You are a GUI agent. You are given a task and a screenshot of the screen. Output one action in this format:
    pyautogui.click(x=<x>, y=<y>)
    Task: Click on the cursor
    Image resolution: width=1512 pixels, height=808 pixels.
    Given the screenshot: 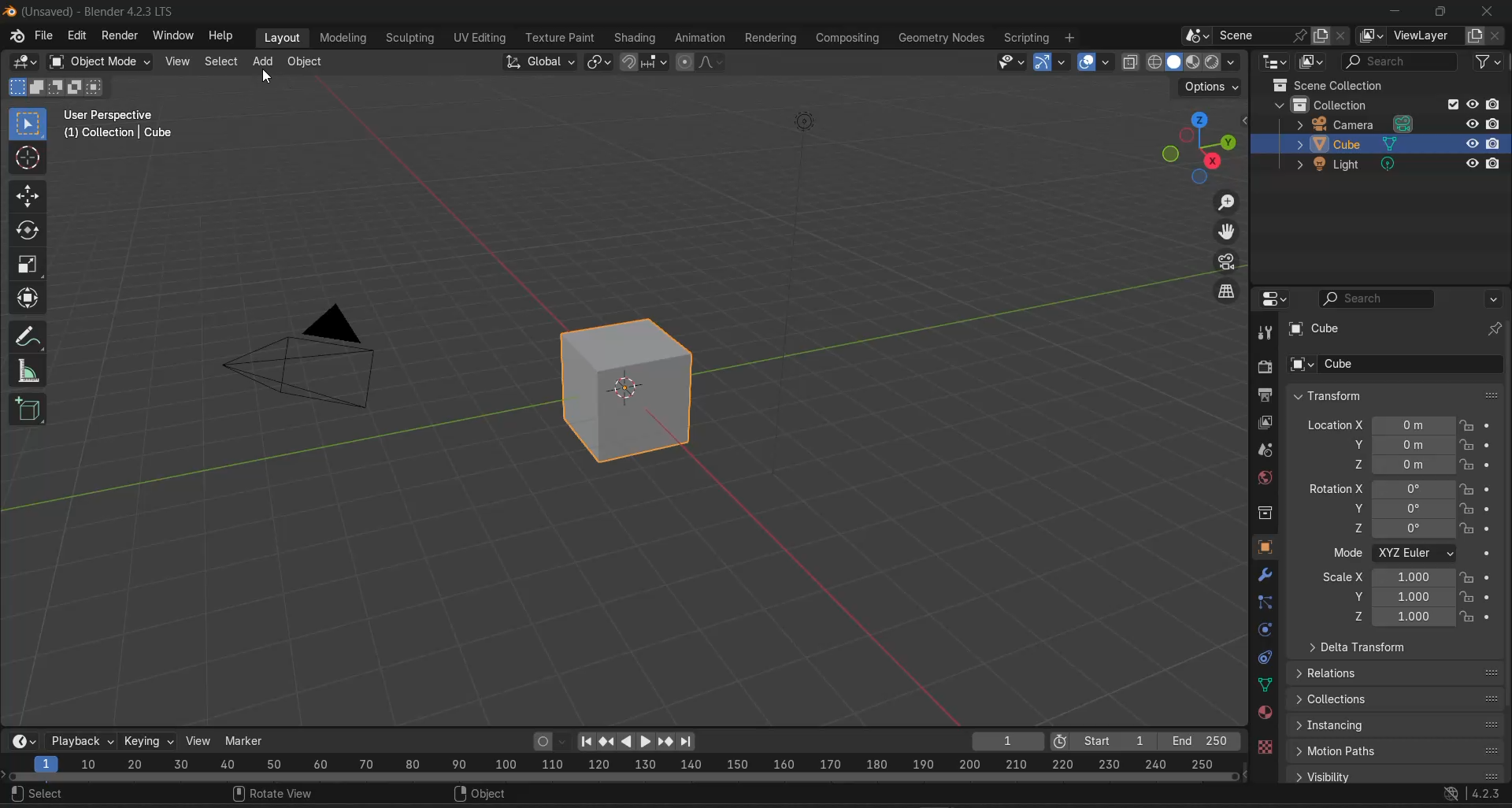 What is the action you would take?
    pyautogui.click(x=29, y=160)
    